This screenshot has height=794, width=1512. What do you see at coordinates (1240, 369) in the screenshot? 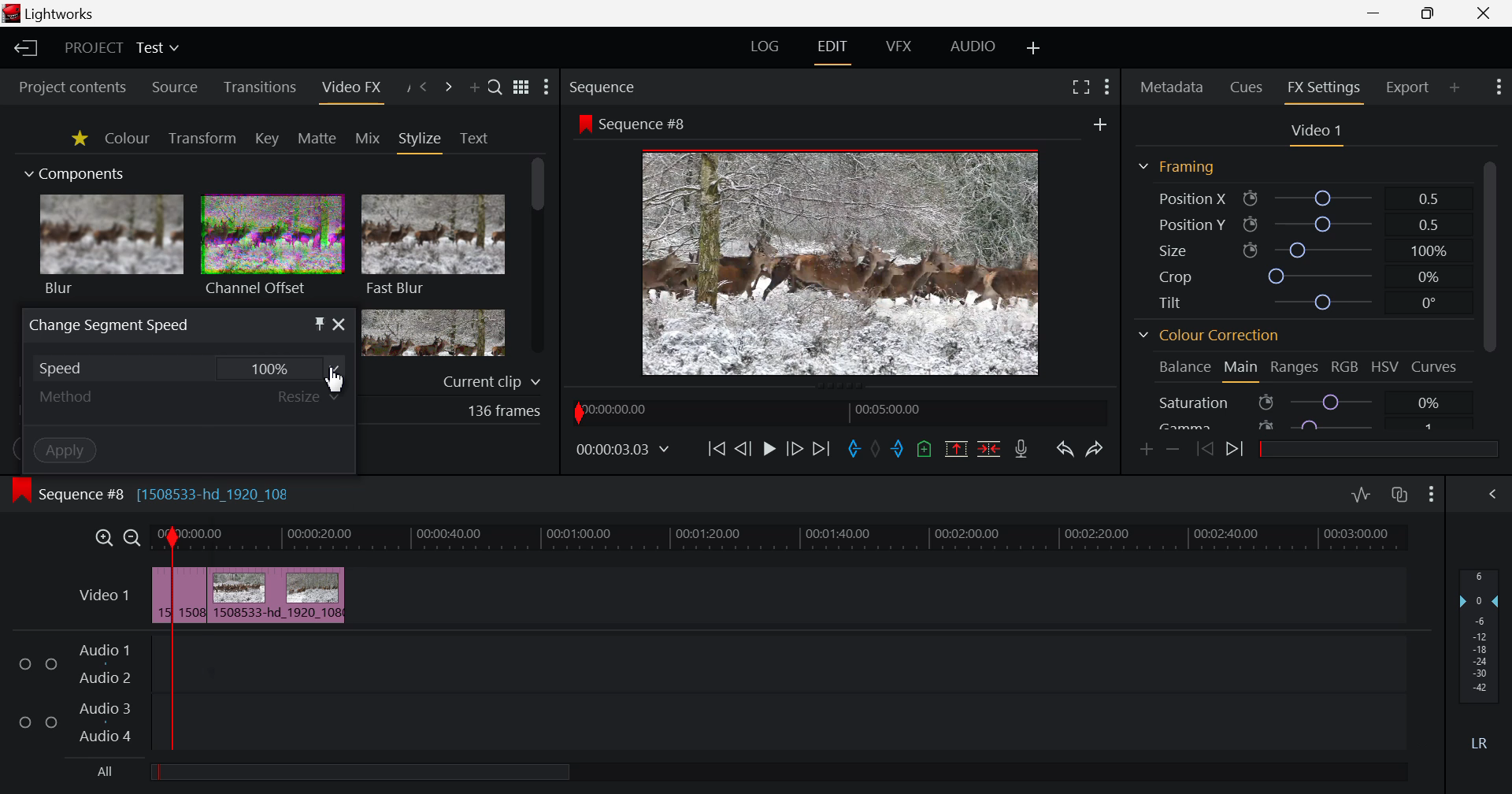
I see `Main Tab Open` at bounding box center [1240, 369].